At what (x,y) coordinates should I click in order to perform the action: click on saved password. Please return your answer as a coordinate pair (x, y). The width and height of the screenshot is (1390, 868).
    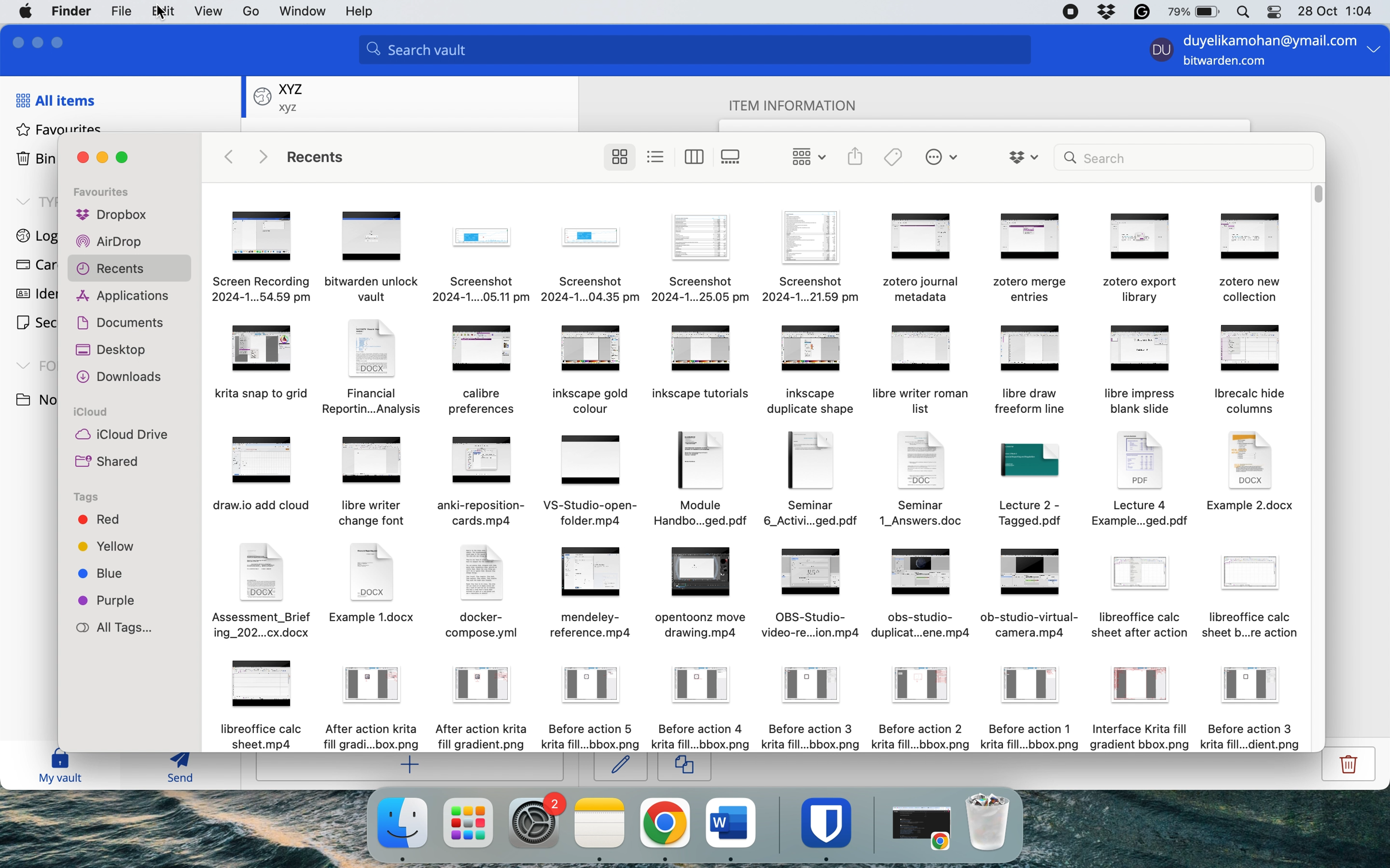
    Looking at the image, I should click on (280, 96).